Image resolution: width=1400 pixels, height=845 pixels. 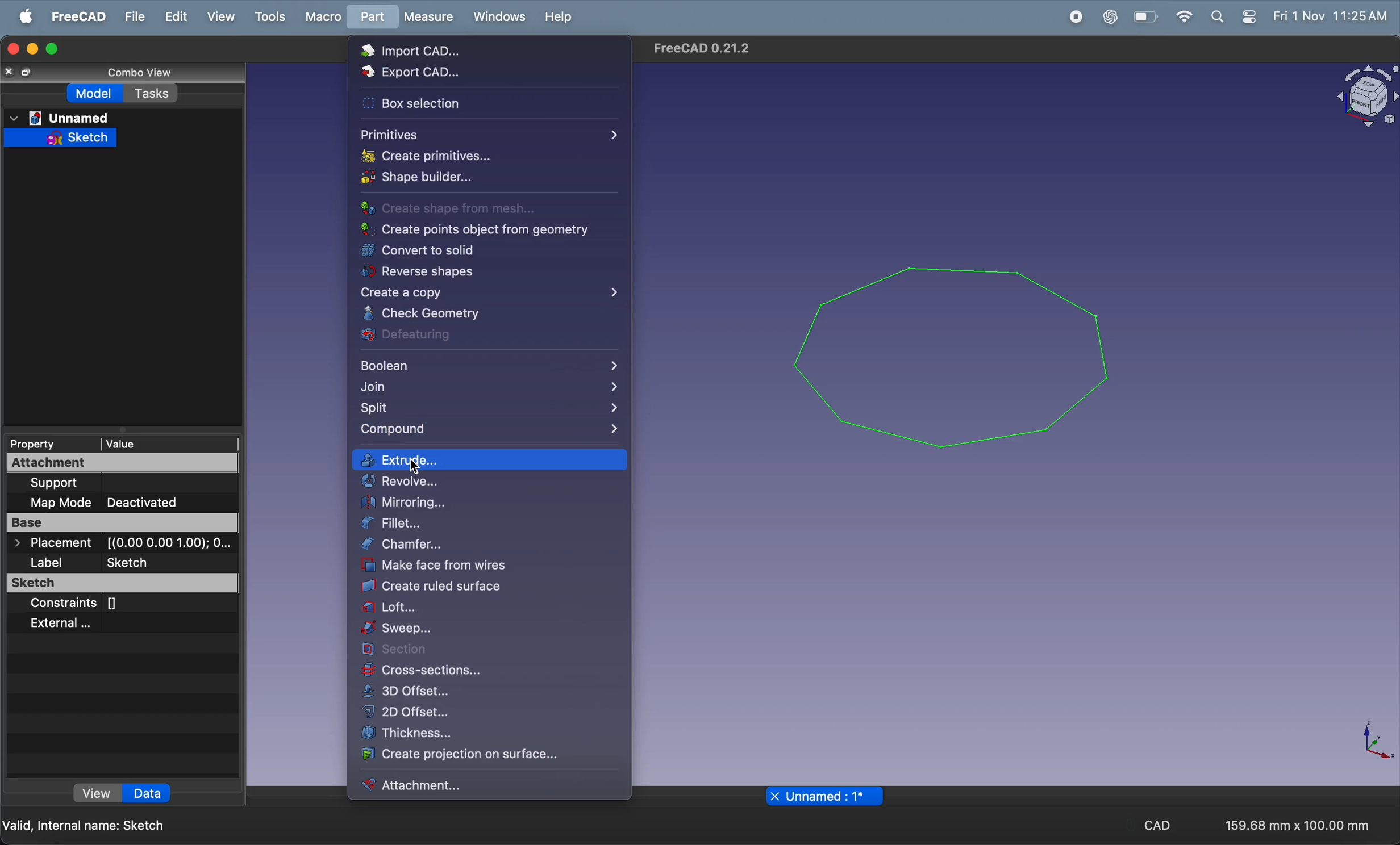 What do you see at coordinates (1181, 16) in the screenshot?
I see `wifi` at bounding box center [1181, 16].